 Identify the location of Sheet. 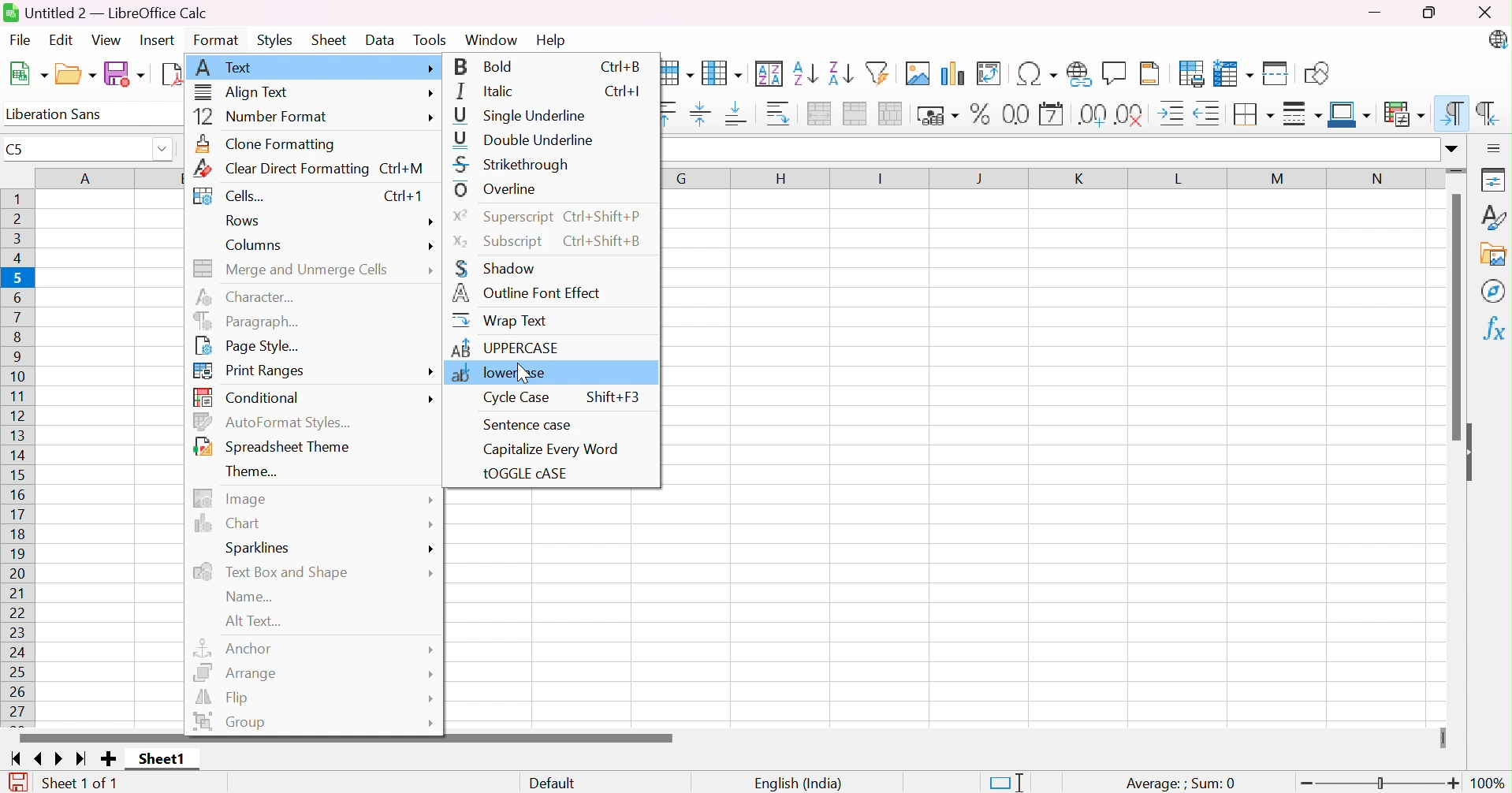
(332, 39).